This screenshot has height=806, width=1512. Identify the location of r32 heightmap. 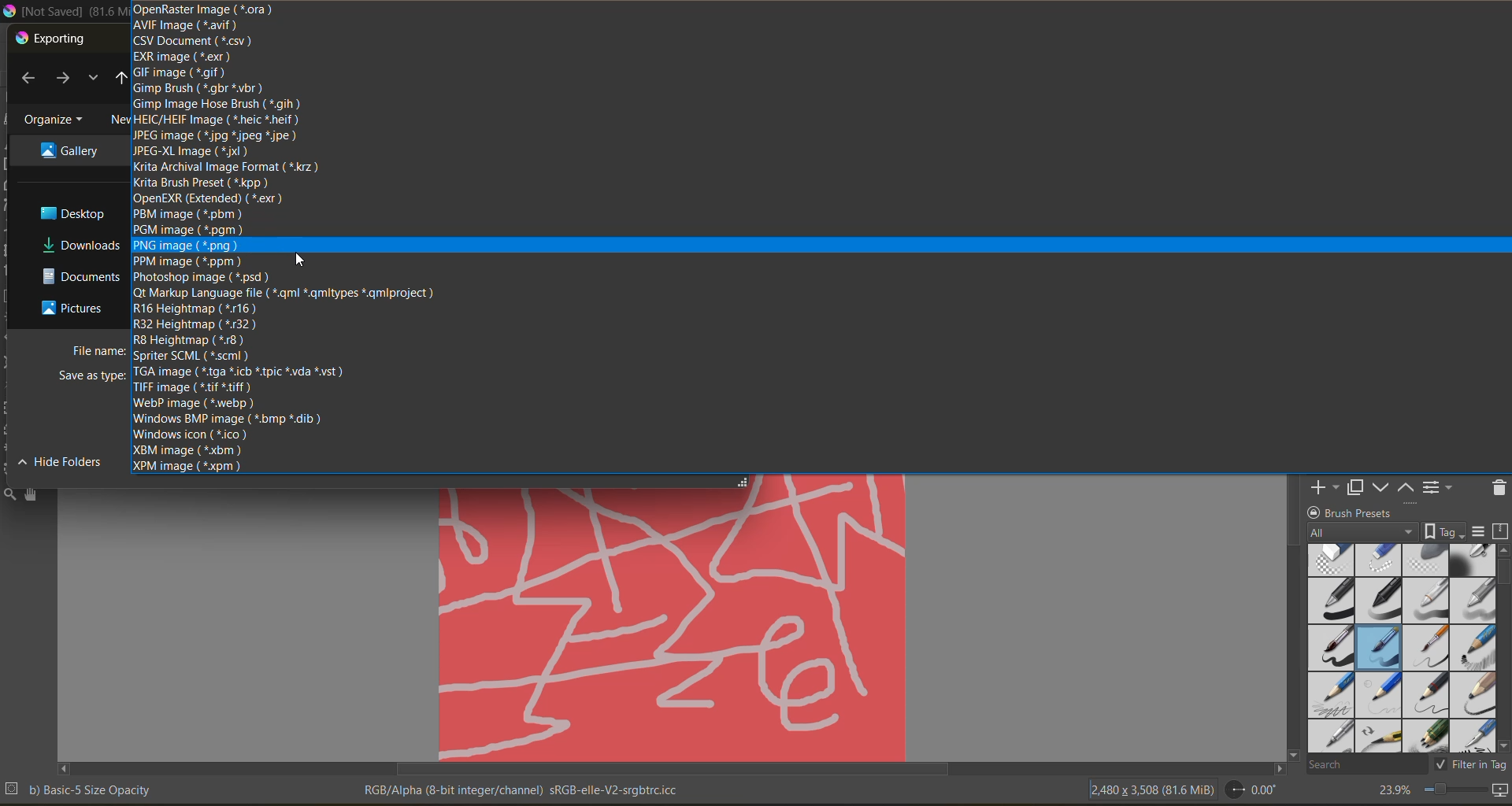
(198, 324).